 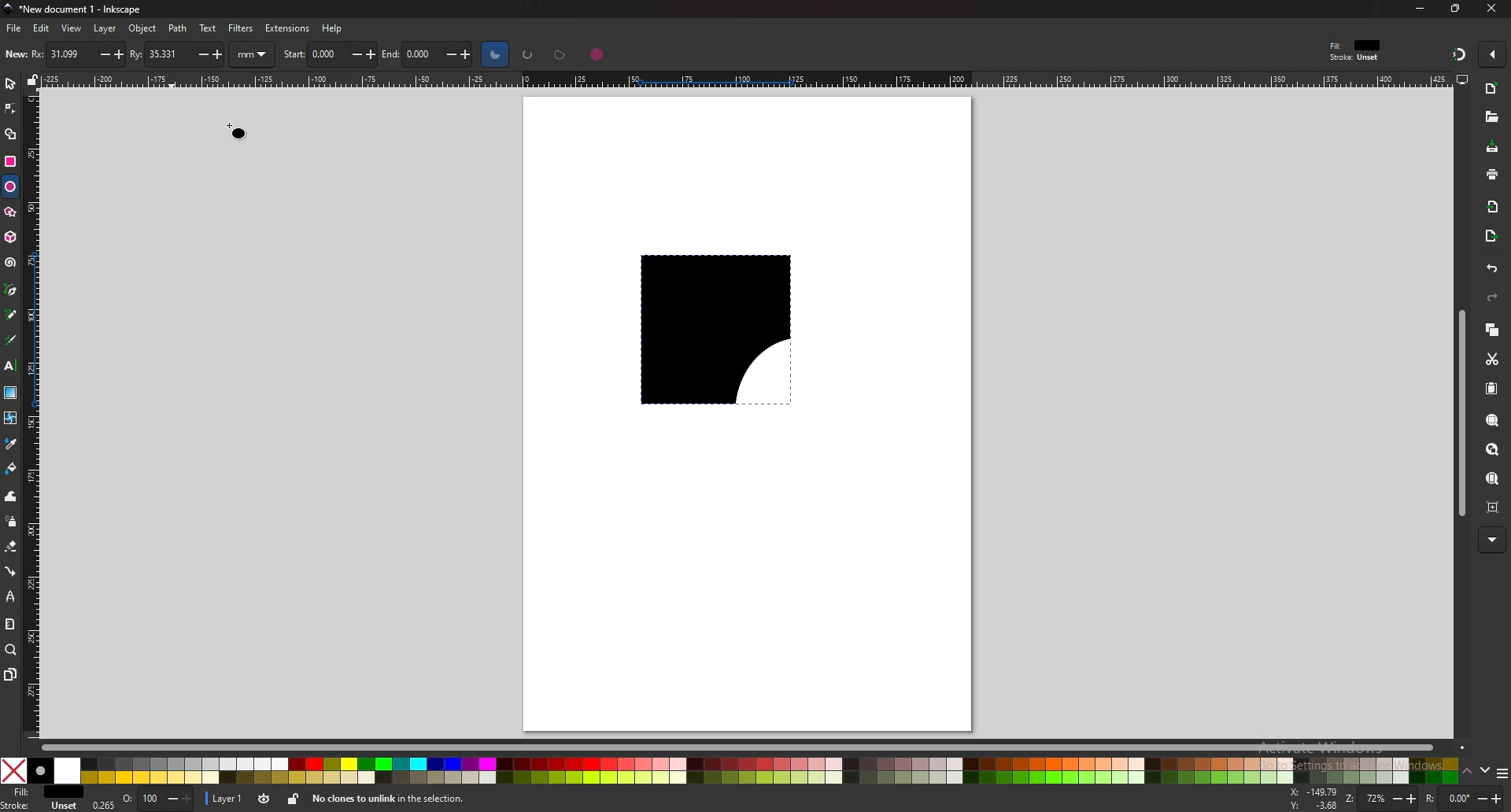 I want to click on export, so click(x=1492, y=237).